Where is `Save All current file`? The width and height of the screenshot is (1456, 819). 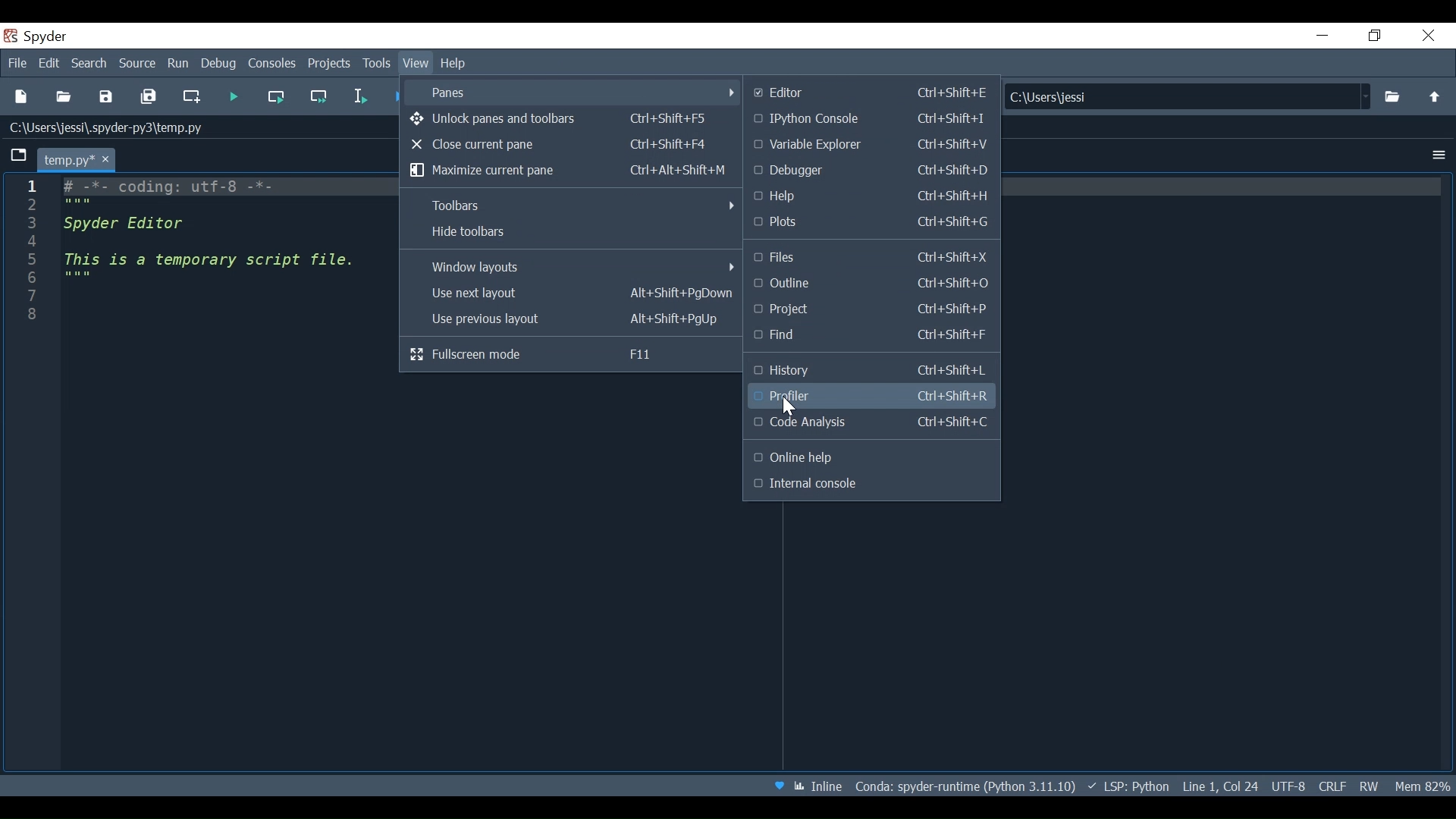
Save All current file is located at coordinates (148, 99).